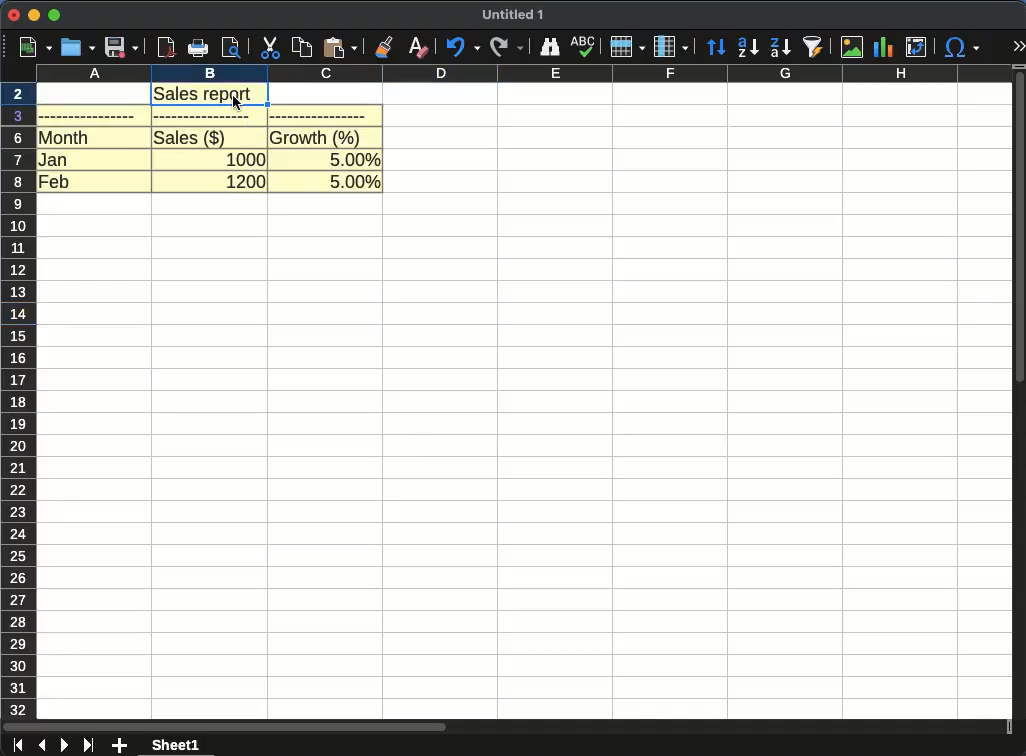  What do you see at coordinates (13, 16) in the screenshot?
I see `close` at bounding box center [13, 16].